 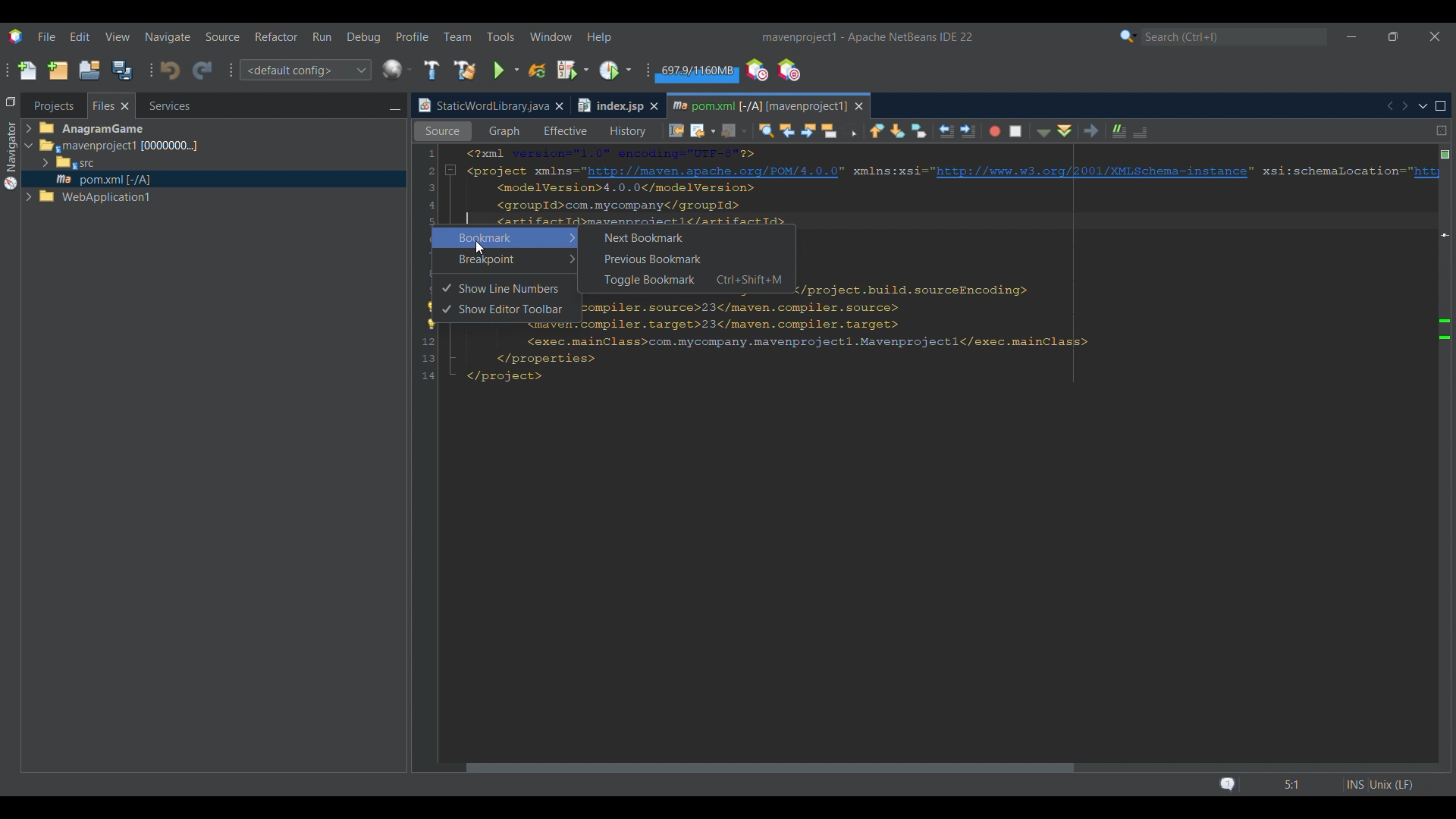 What do you see at coordinates (322, 36) in the screenshot?
I see `Run menu` at bounding box center [322, 36].